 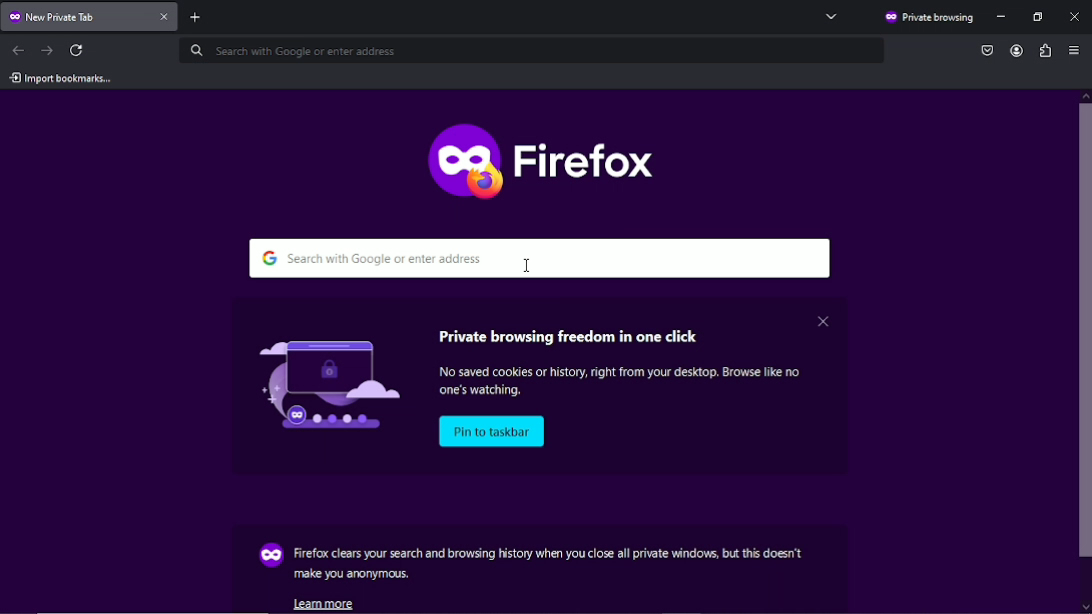 What do you see at coordinates (822, 320) in the screenshot?
I see `close` at bounding box center [822, 320].